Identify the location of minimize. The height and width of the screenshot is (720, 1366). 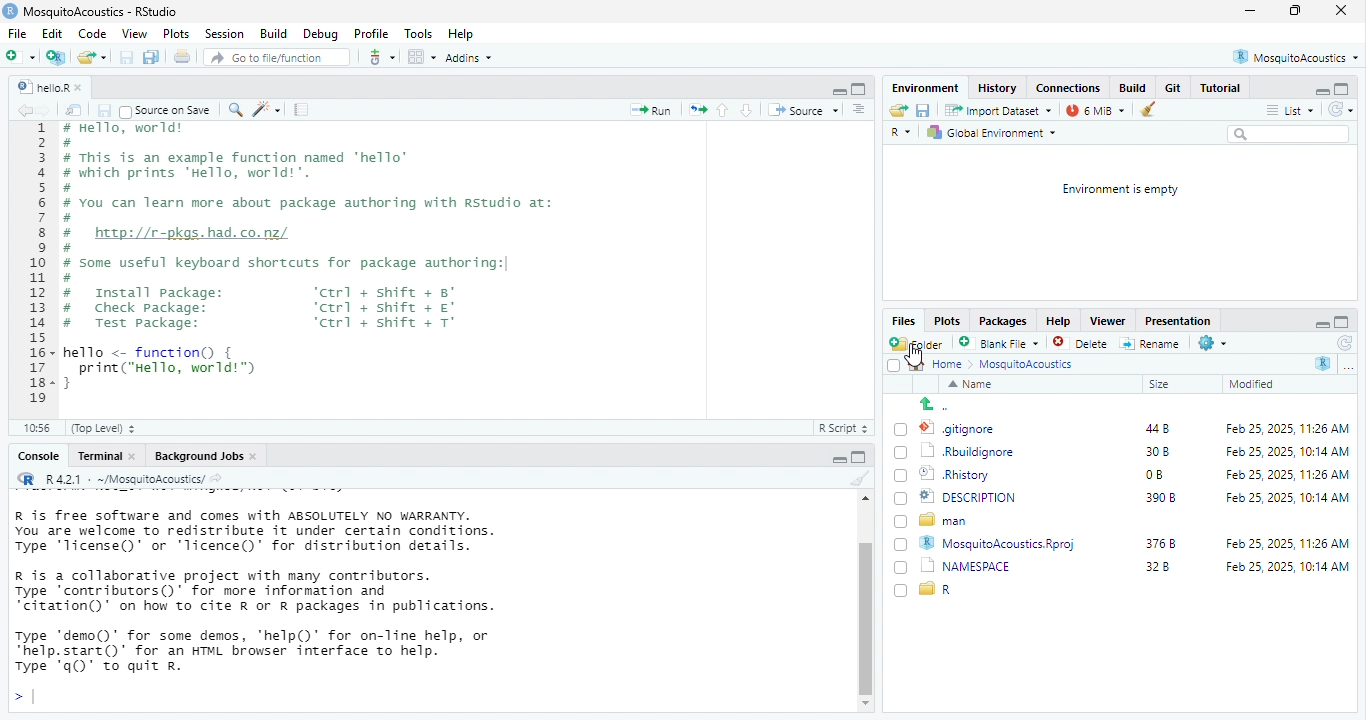
(1250, 12).